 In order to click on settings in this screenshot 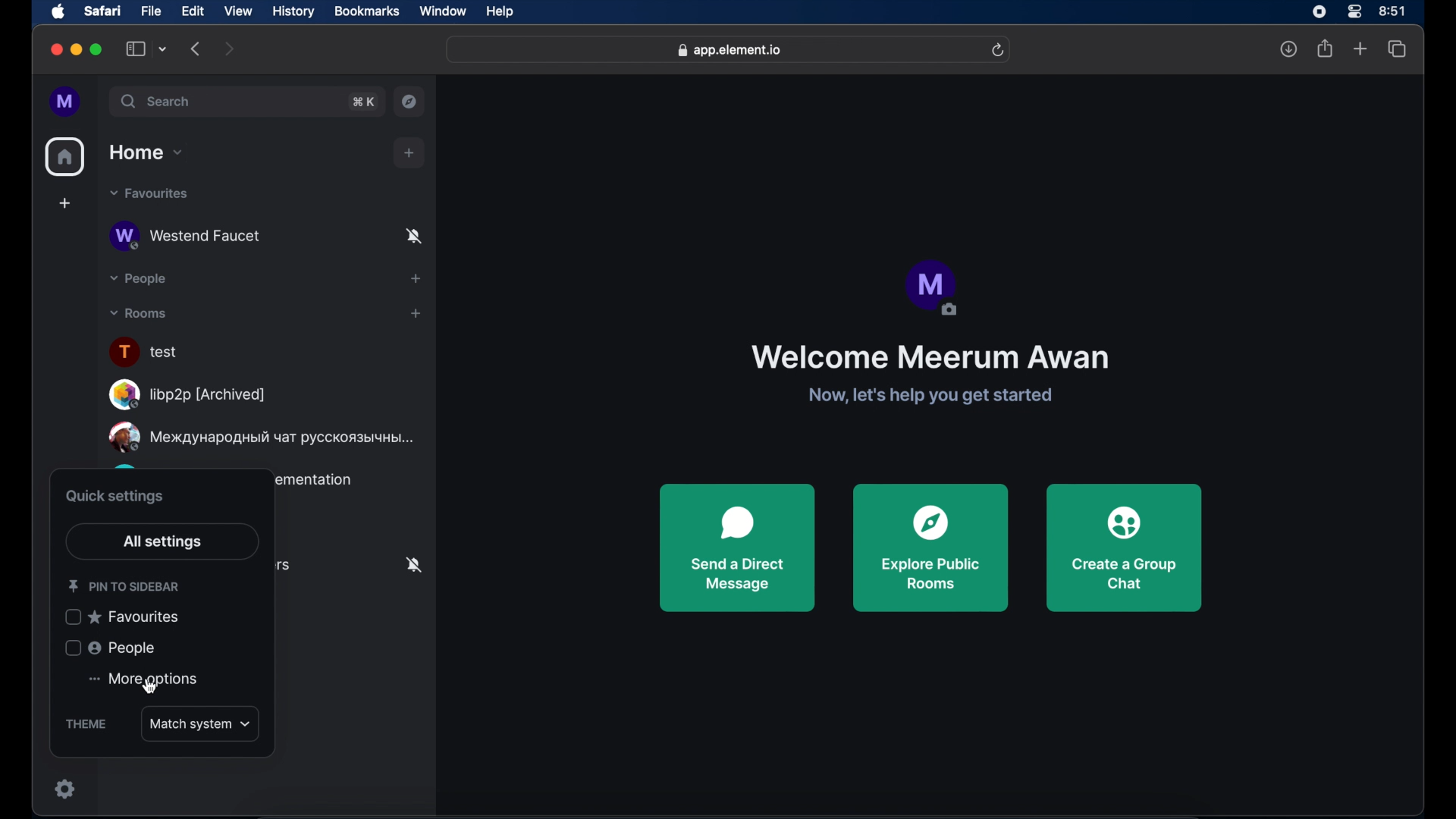, I will do `click(67, 788)`.